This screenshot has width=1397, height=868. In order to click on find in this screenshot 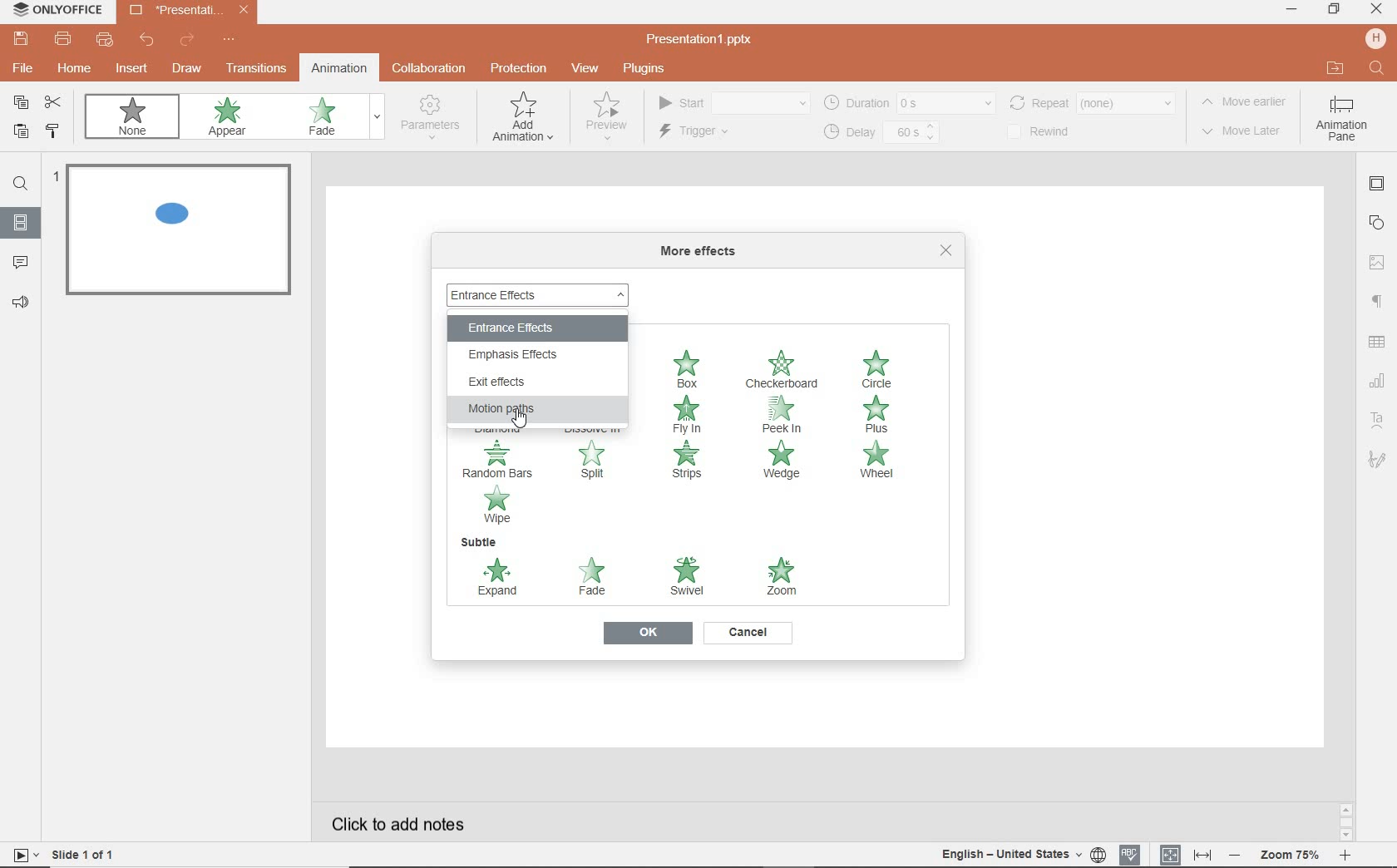, I will do `click(1375, 67)`.